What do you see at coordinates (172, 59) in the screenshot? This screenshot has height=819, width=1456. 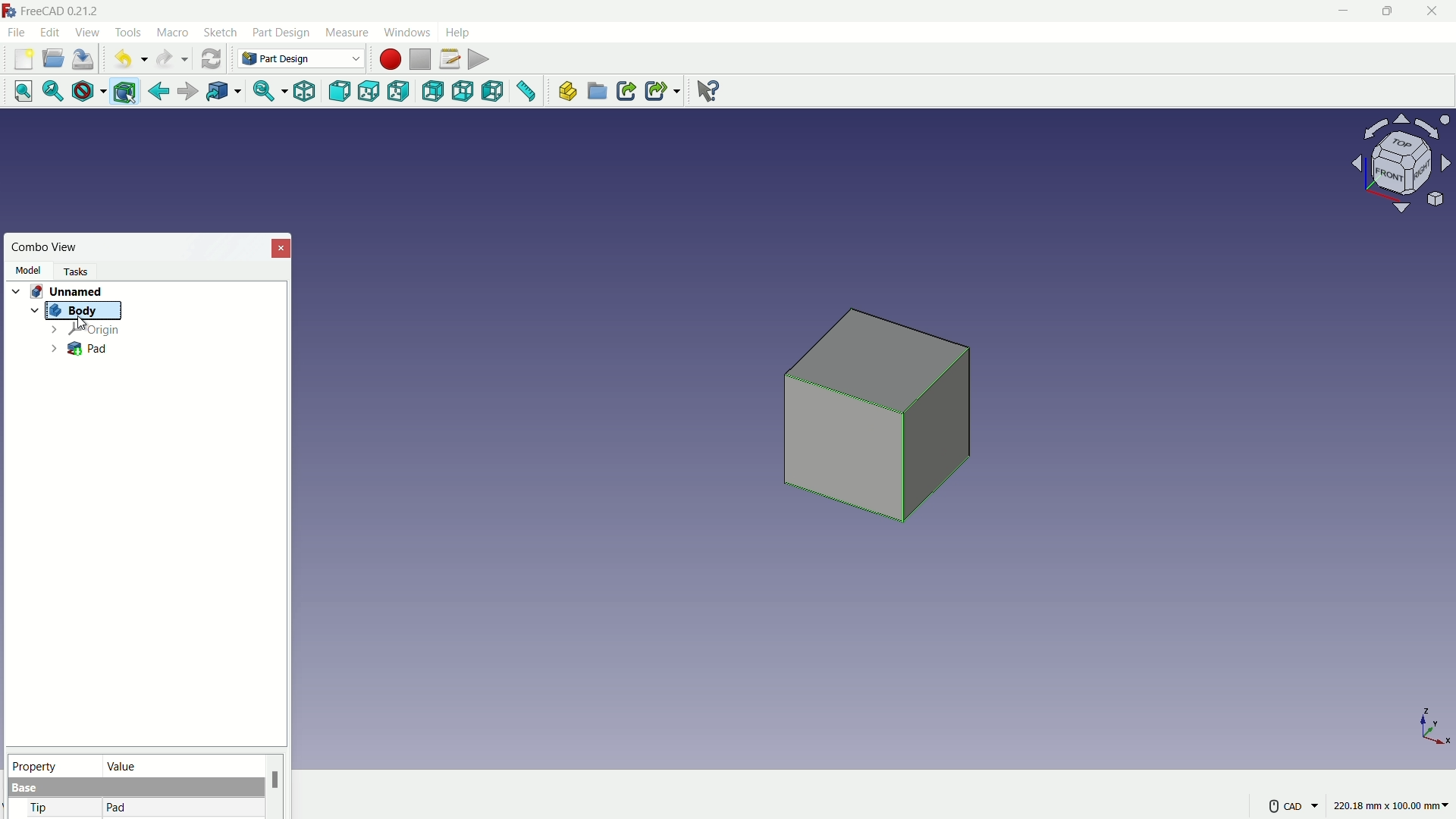 I see `redo` at bounding box center [172, 59].